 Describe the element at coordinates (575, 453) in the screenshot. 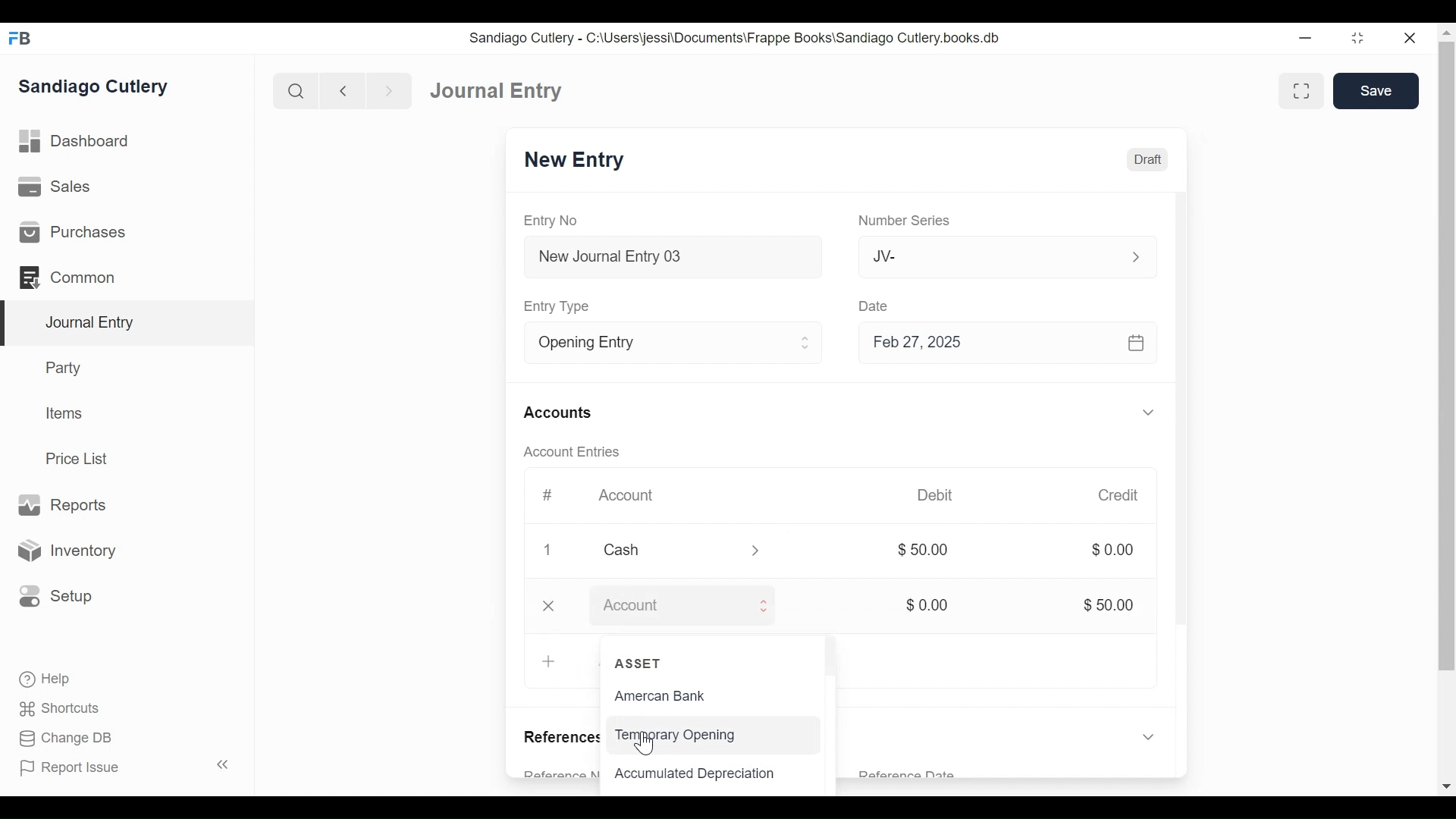

I see `Account Entries` at that location.